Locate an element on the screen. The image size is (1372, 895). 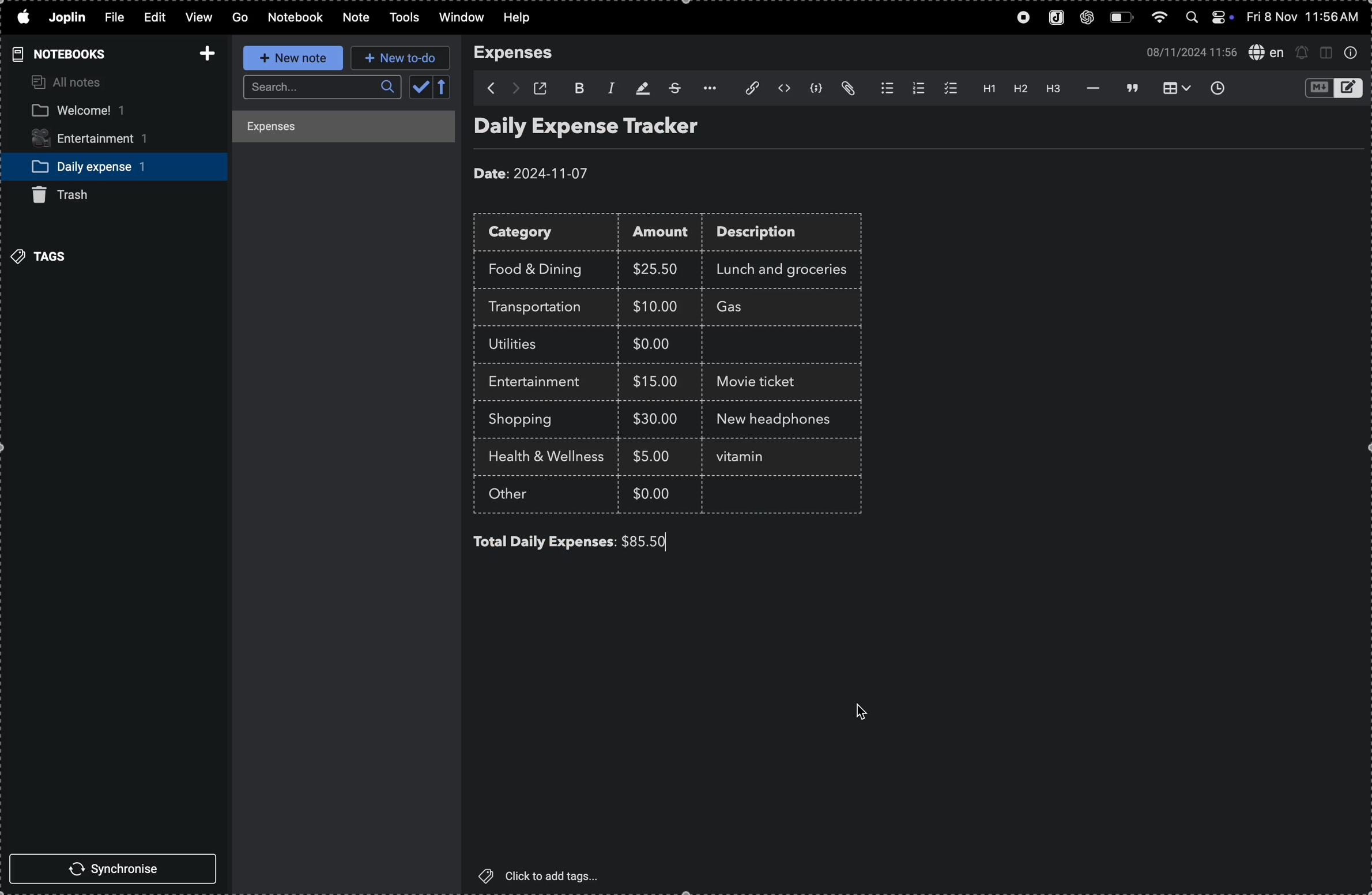
shopping is located at coordinates (529, 420).